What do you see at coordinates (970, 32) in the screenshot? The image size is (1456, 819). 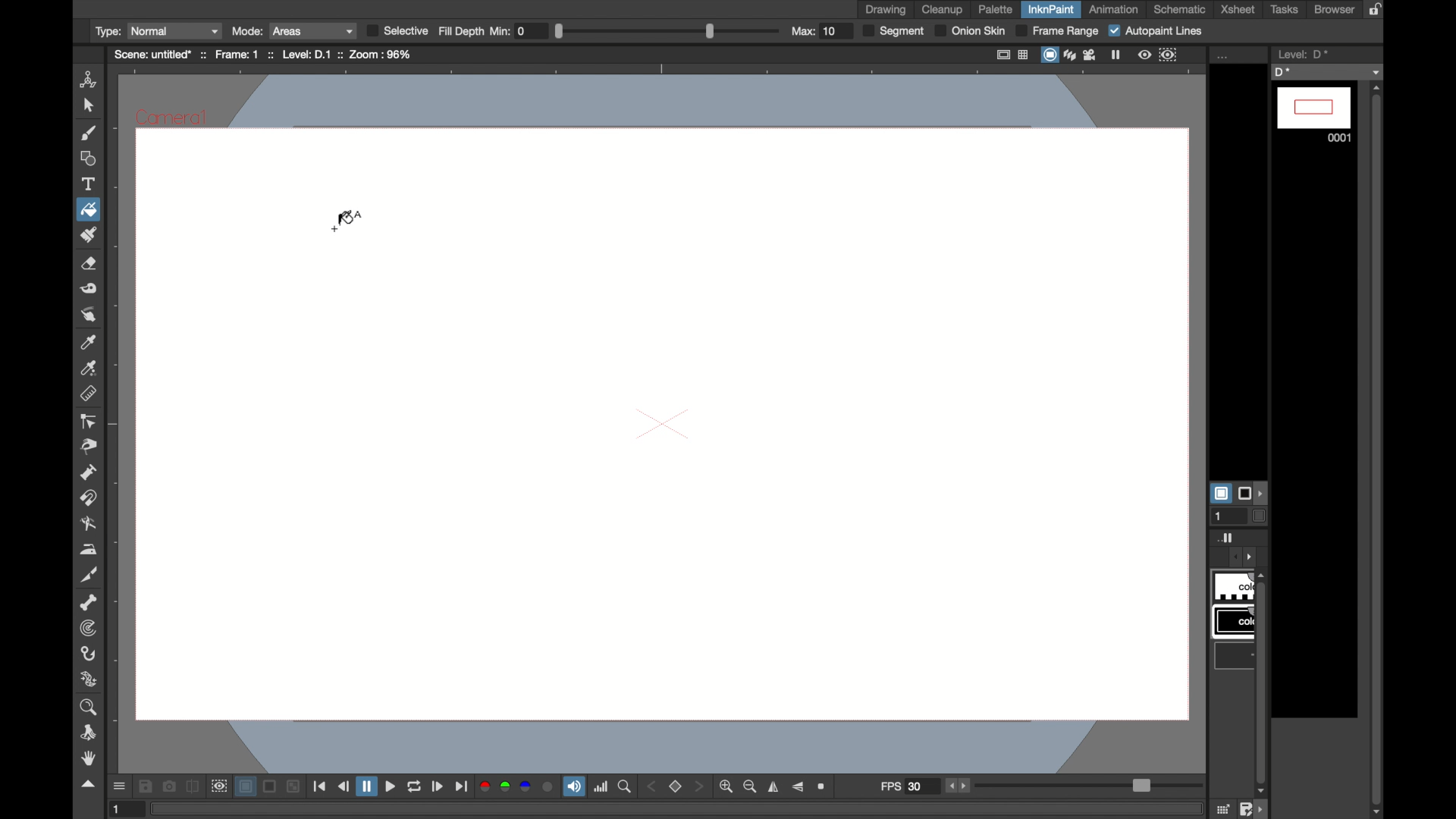 I see `Onion Skin` at bounding box center [970, 32].